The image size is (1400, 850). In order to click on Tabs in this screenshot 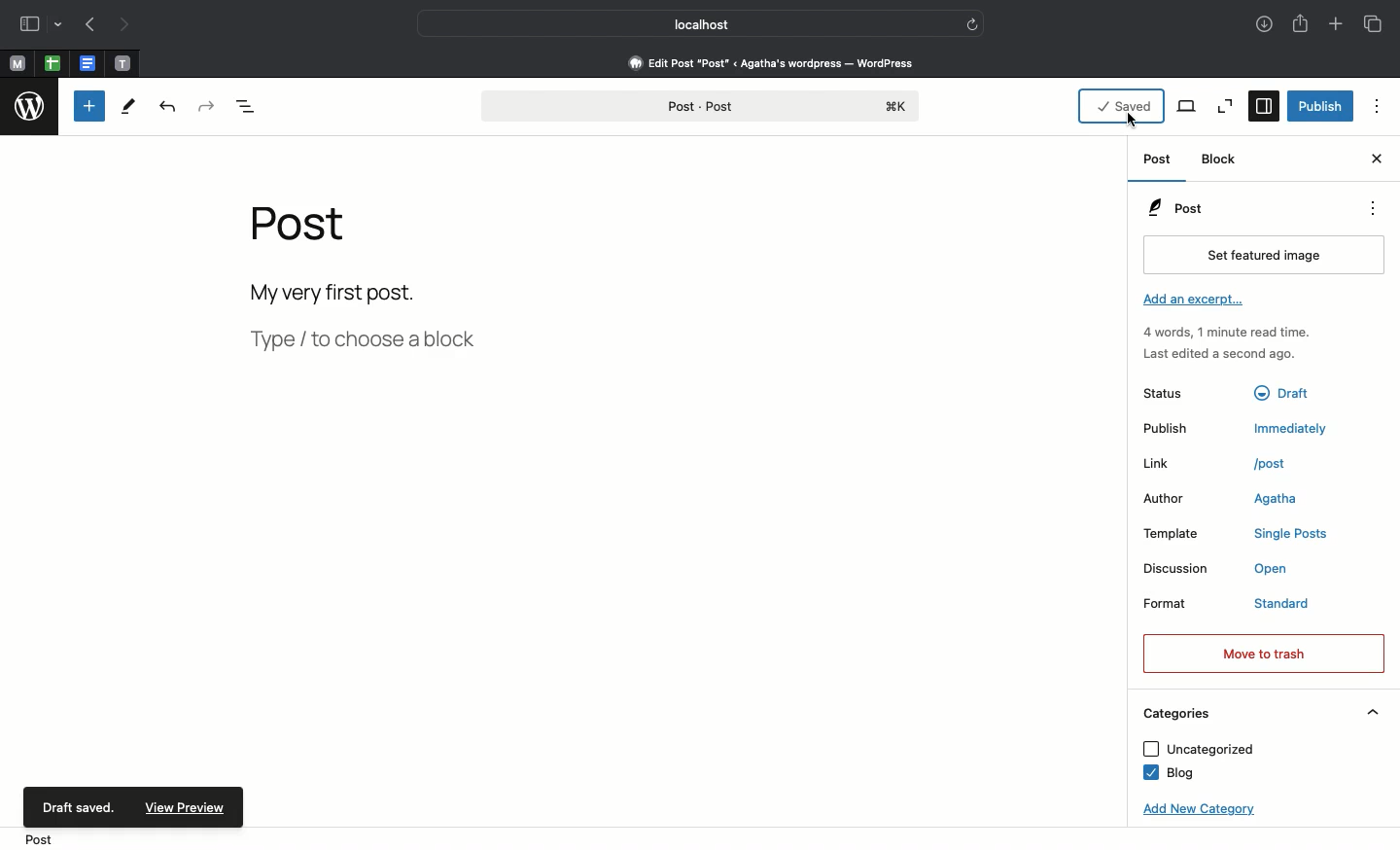, I will do `click(1376, 24)`.